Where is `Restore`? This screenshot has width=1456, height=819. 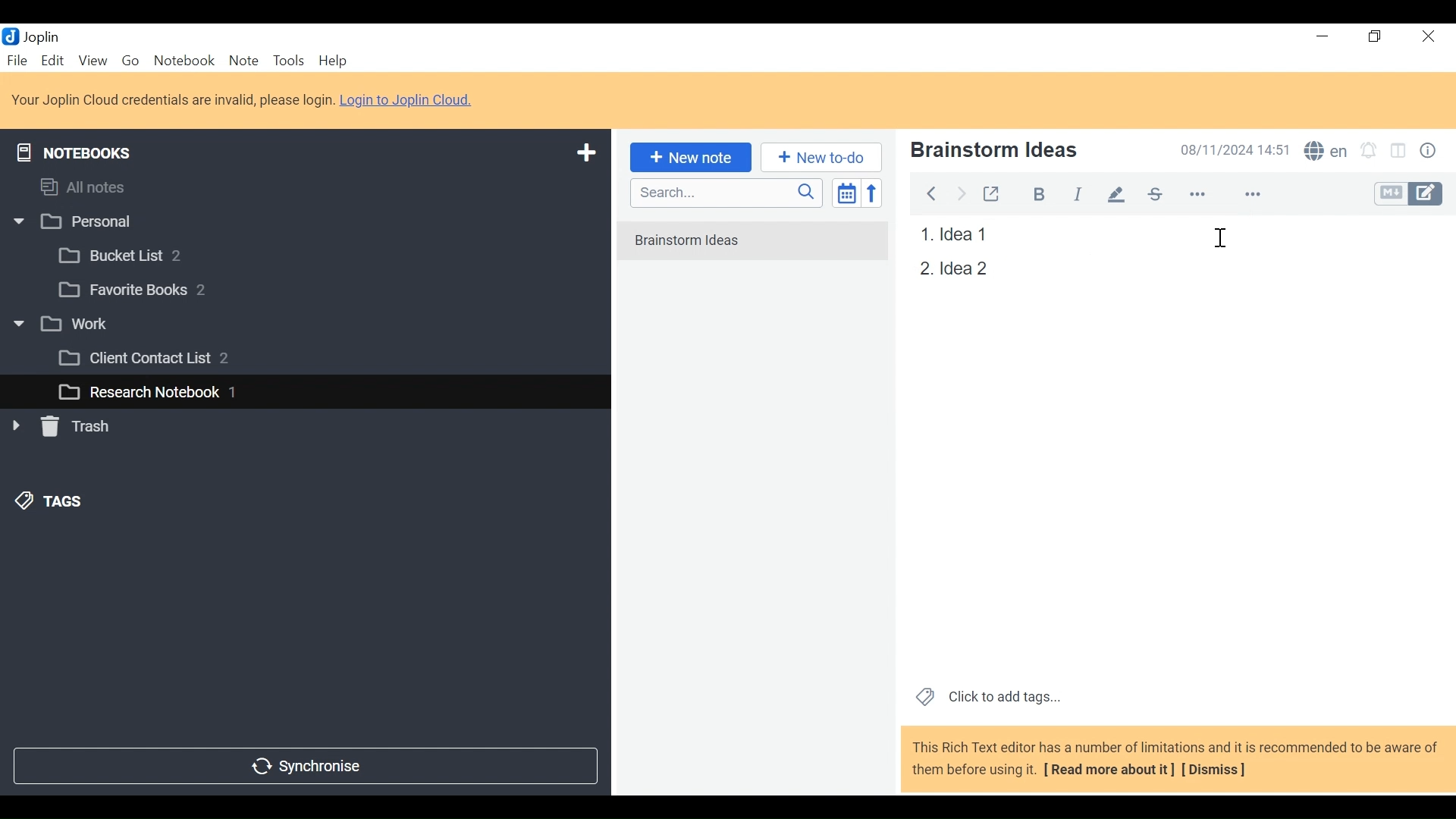
Restore is located at coordinates (1376, 37).